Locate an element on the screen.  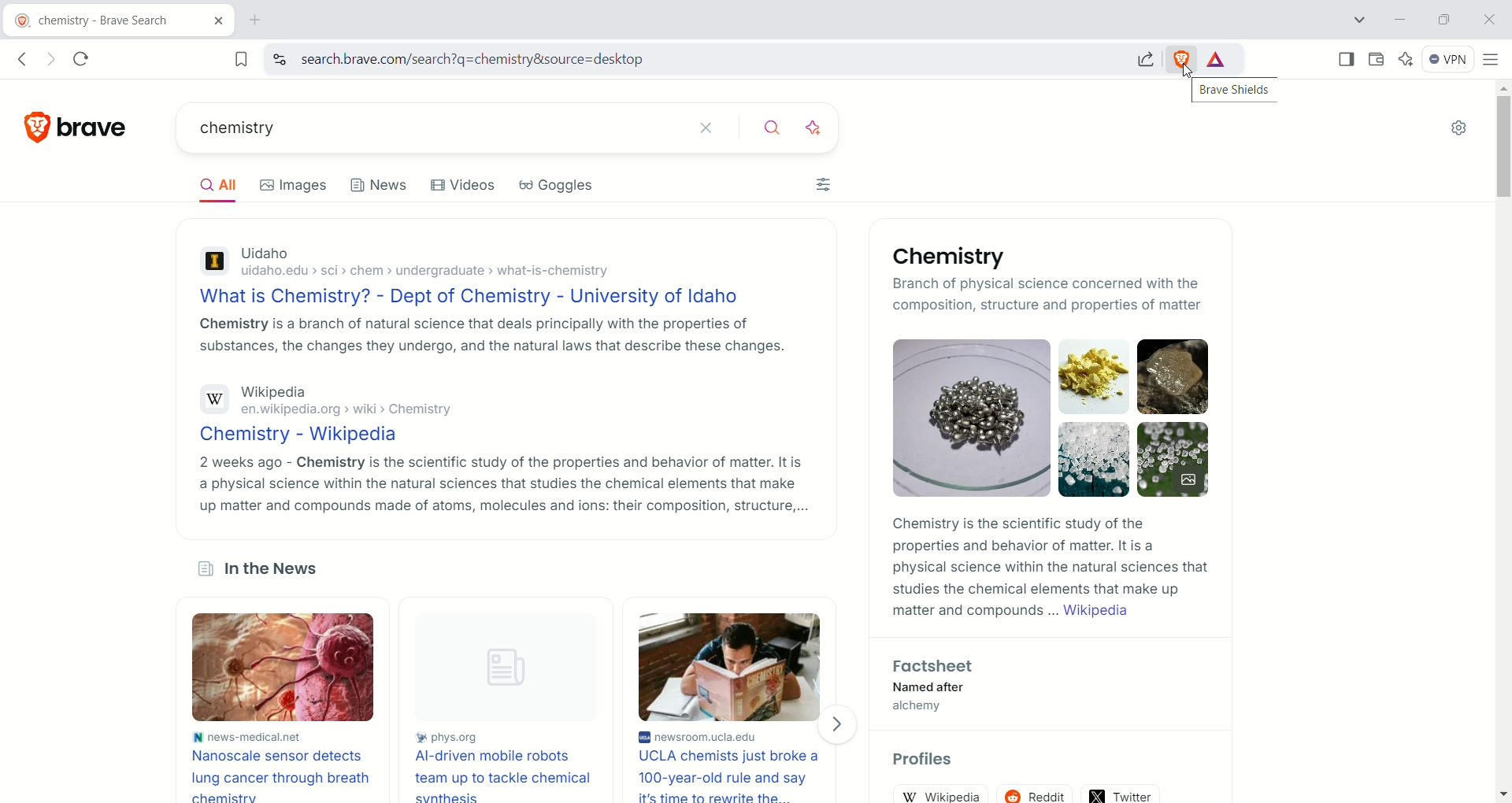
newsroom.ucla.edu is located at coordinates (733, 738).